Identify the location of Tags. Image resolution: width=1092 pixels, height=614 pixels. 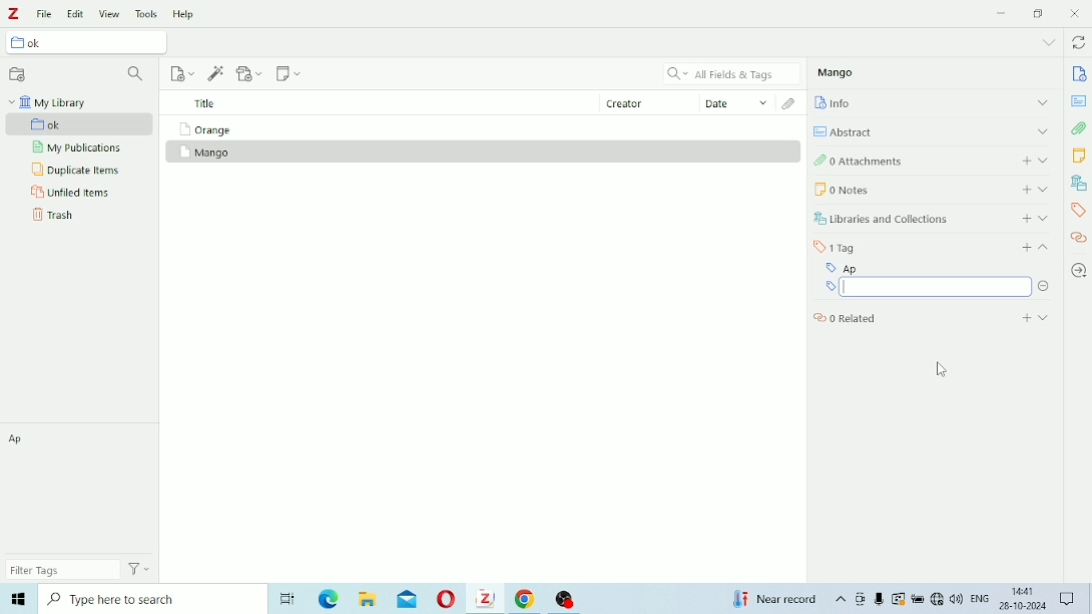
(935, 242).